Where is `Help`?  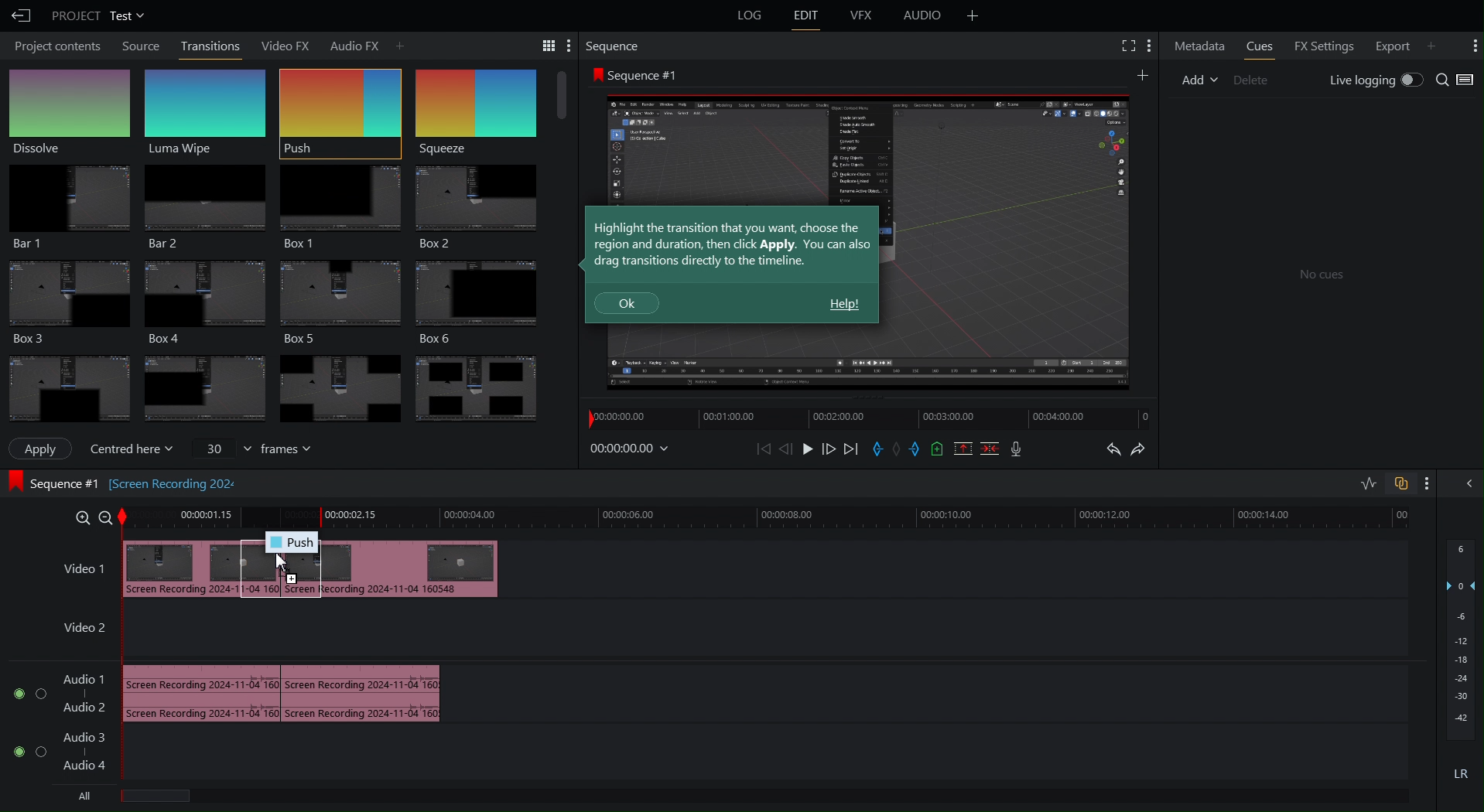 Help is located at coordinates (844, 305).